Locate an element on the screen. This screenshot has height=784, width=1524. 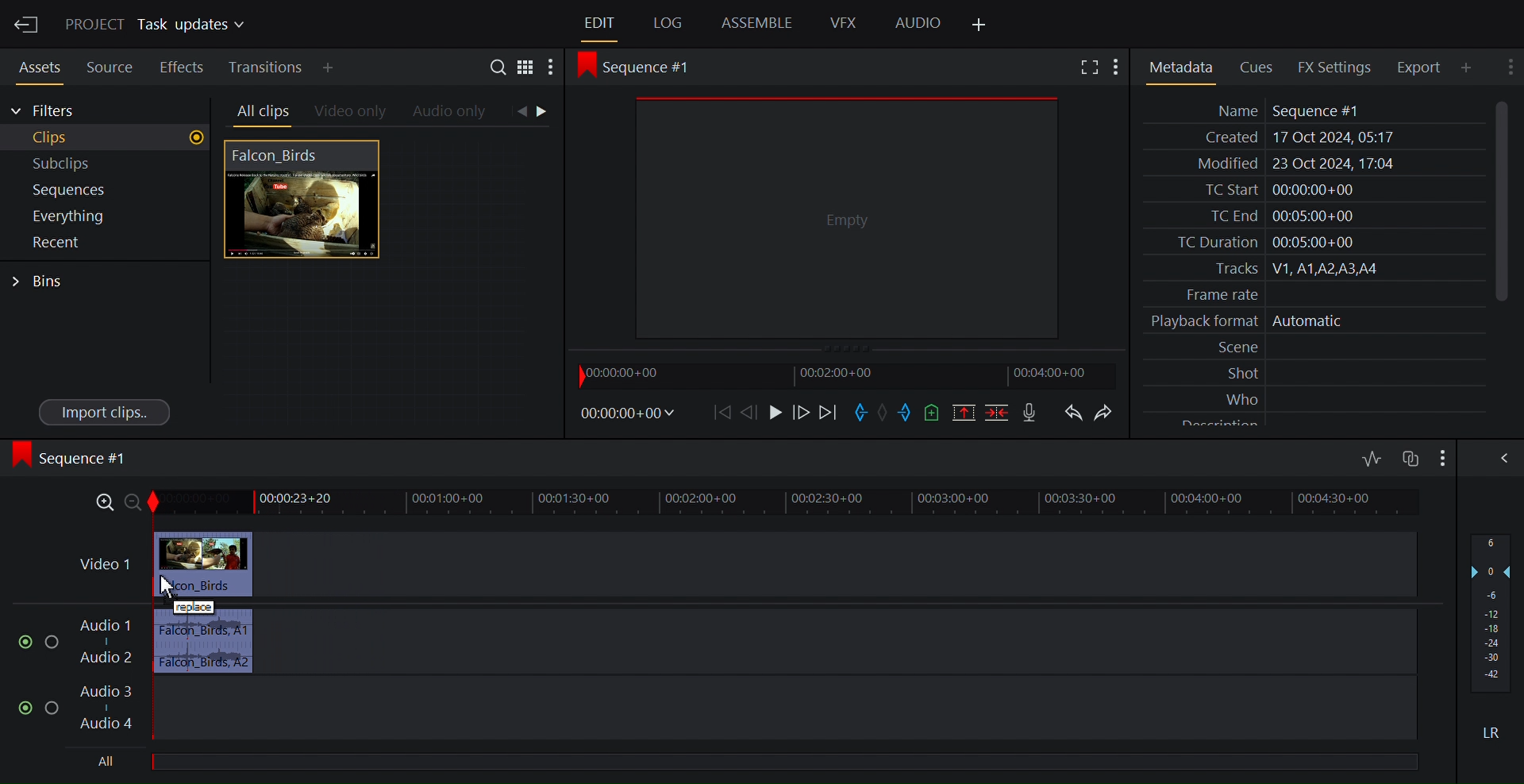
Audio is located at coordinates (918, 24).